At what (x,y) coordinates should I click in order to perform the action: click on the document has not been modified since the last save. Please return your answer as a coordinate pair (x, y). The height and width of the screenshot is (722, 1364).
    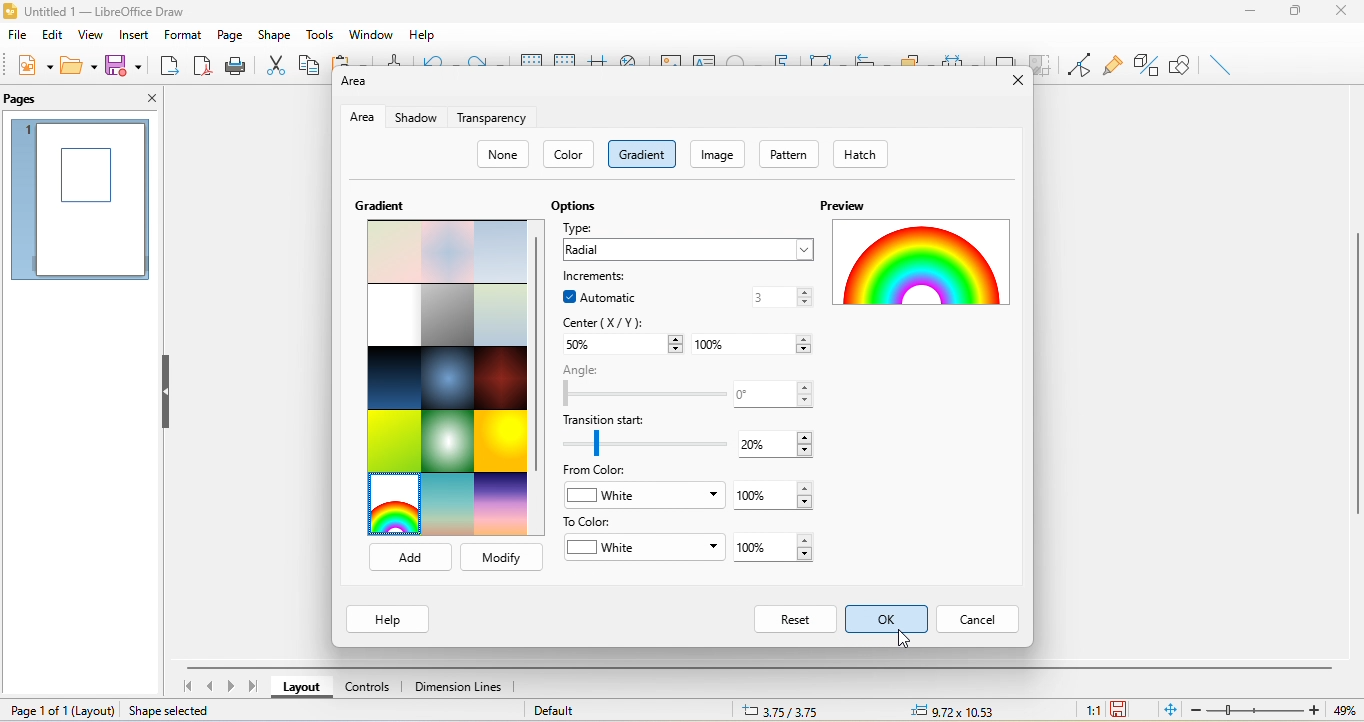
    Looking at the image, I should click on (1126, 710).